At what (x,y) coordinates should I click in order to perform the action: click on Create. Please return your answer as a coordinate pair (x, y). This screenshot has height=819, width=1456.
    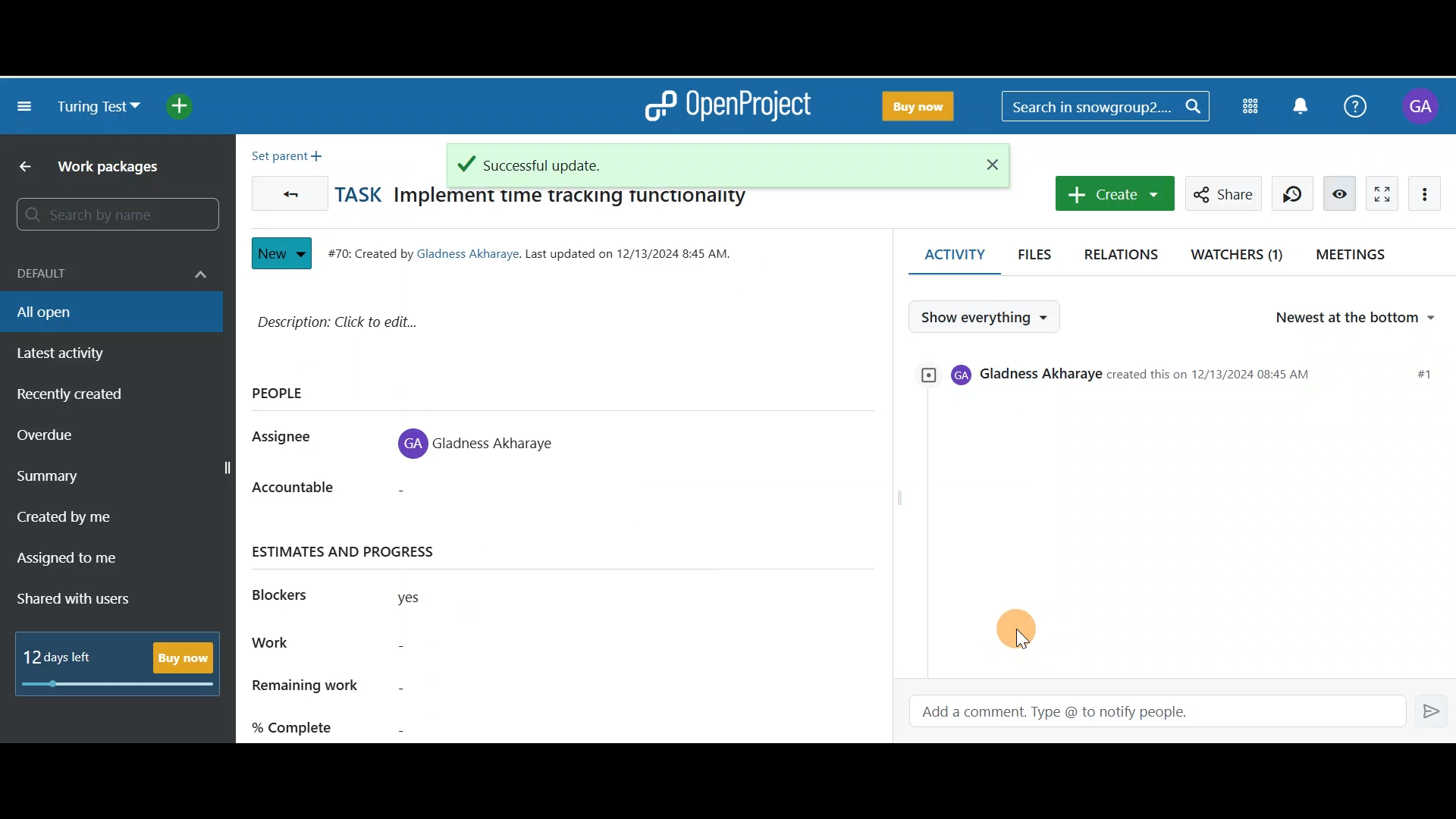
    Looking at the image, I should click on (1111, 193).